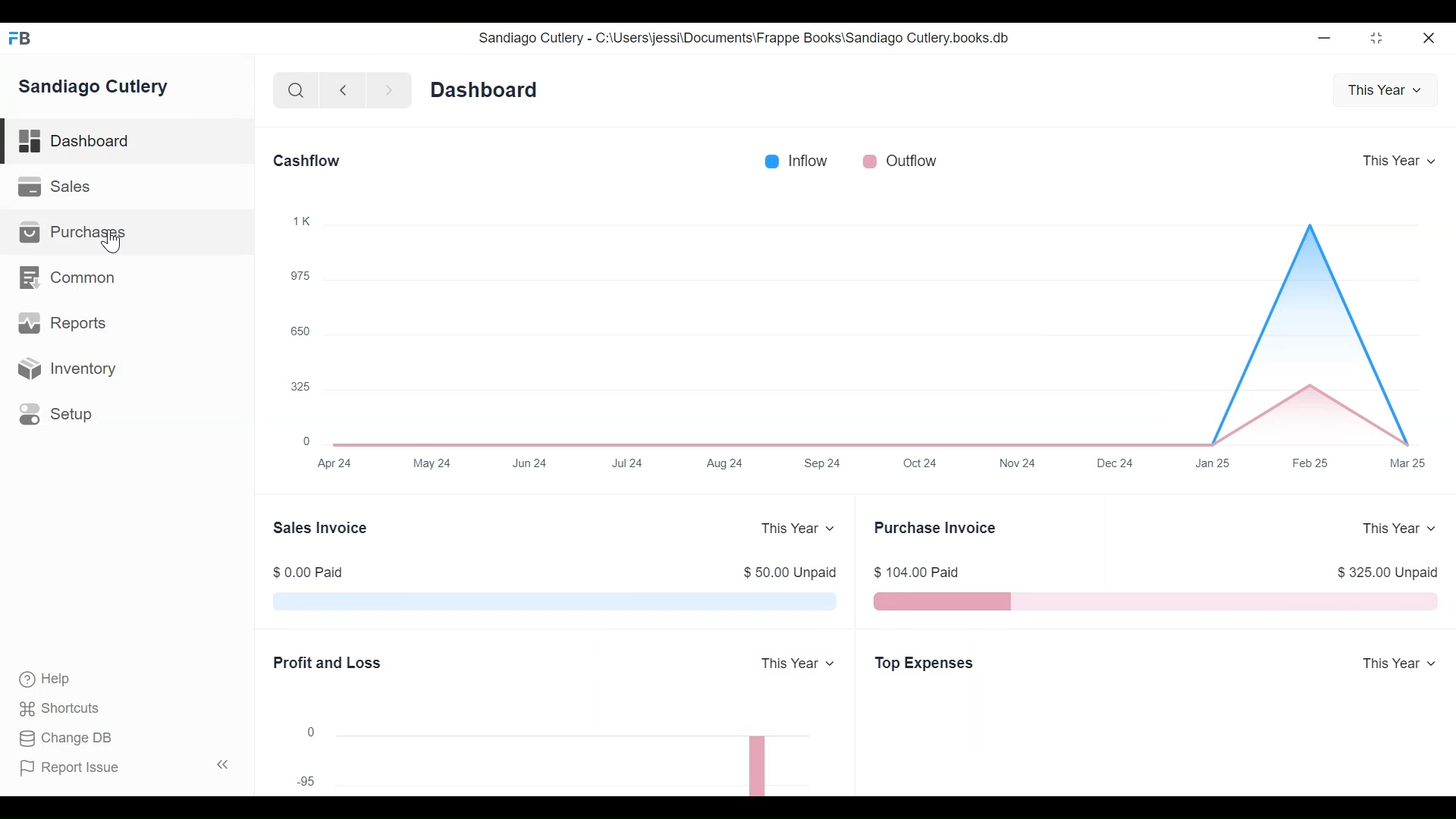  Describe the element at coordinates (1430, 41) in the screenshot. I see `close` at that location.